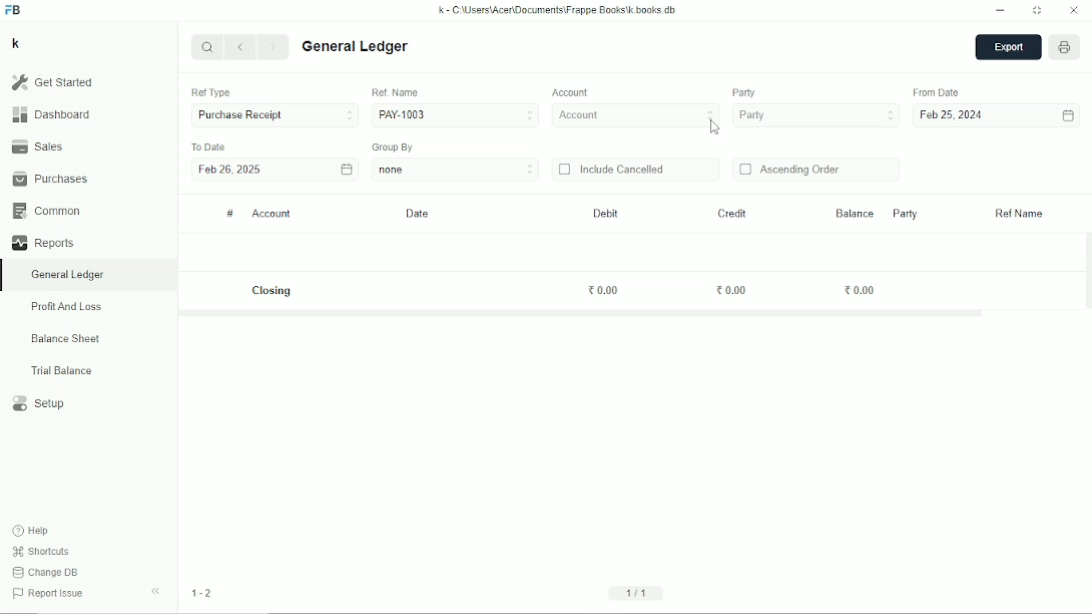  Describe the element at coordinates (394, 147) in the screenshot. I see `Group by` at that location.